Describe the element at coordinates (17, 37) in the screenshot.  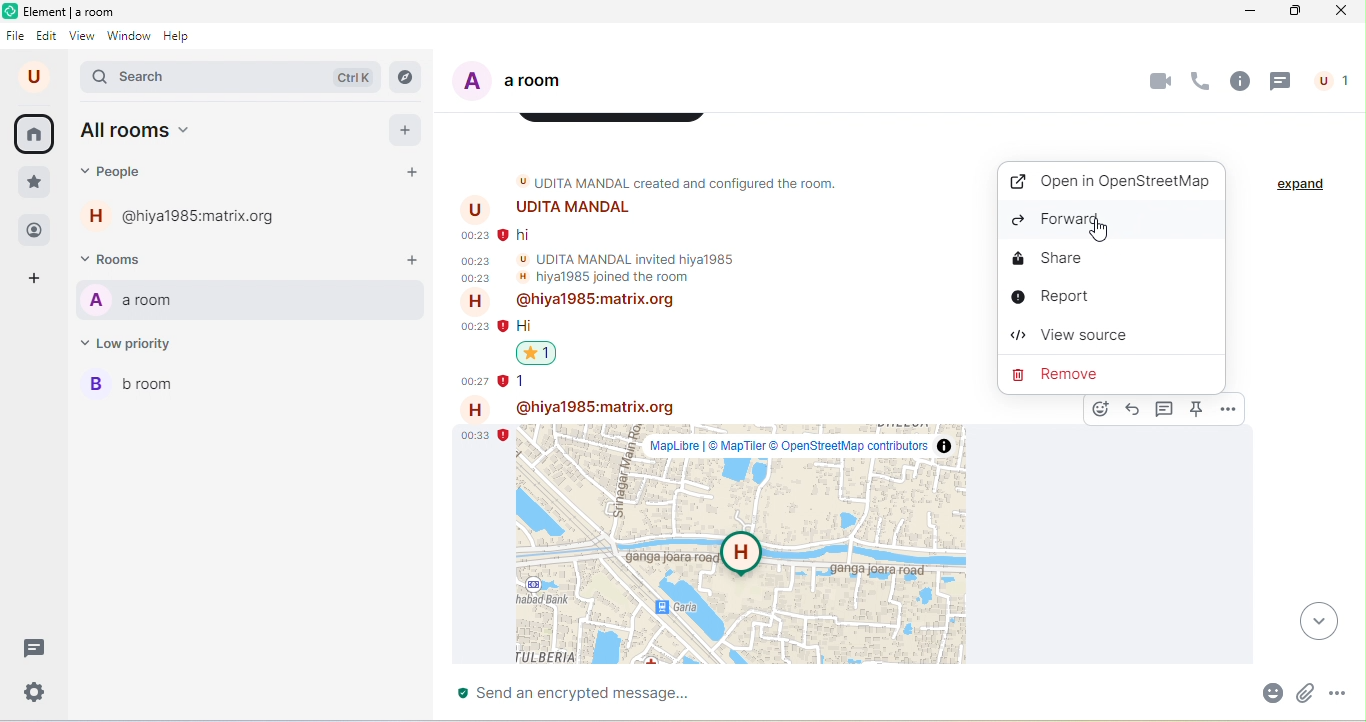
I see `file` at that location.